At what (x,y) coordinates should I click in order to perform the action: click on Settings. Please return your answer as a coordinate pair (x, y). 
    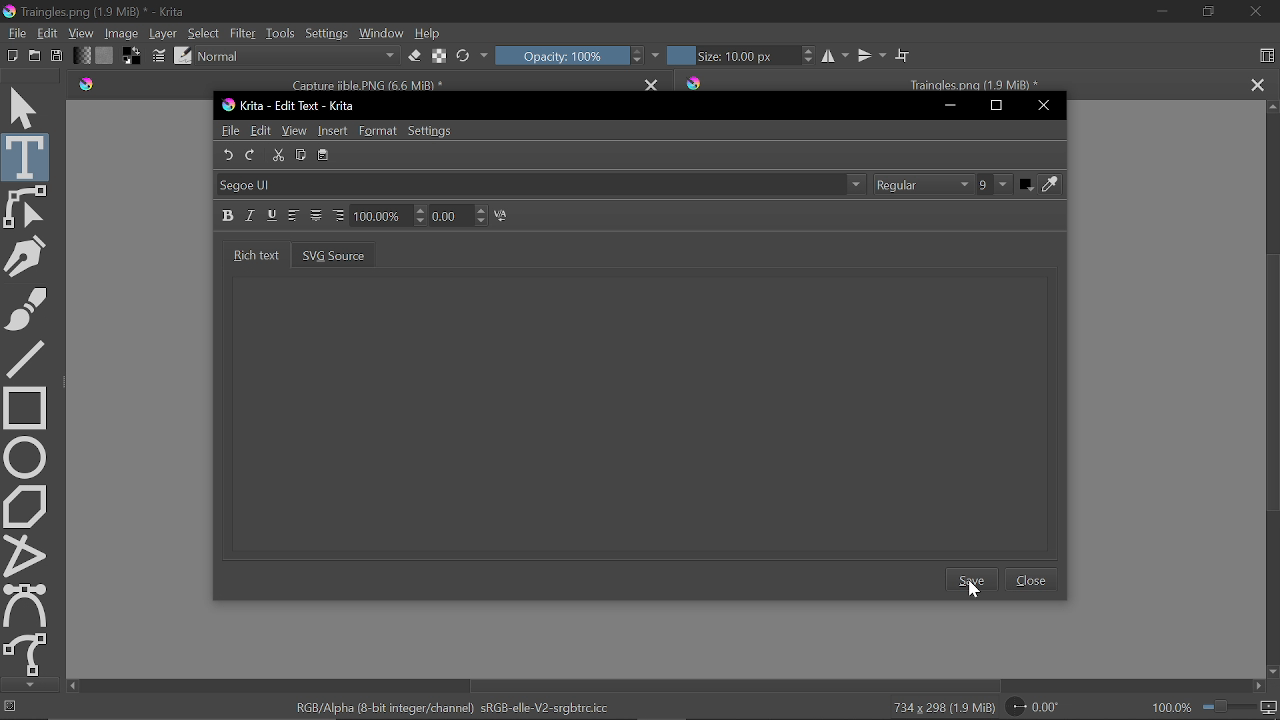
    Looking at the image, I should click on (326, 33).